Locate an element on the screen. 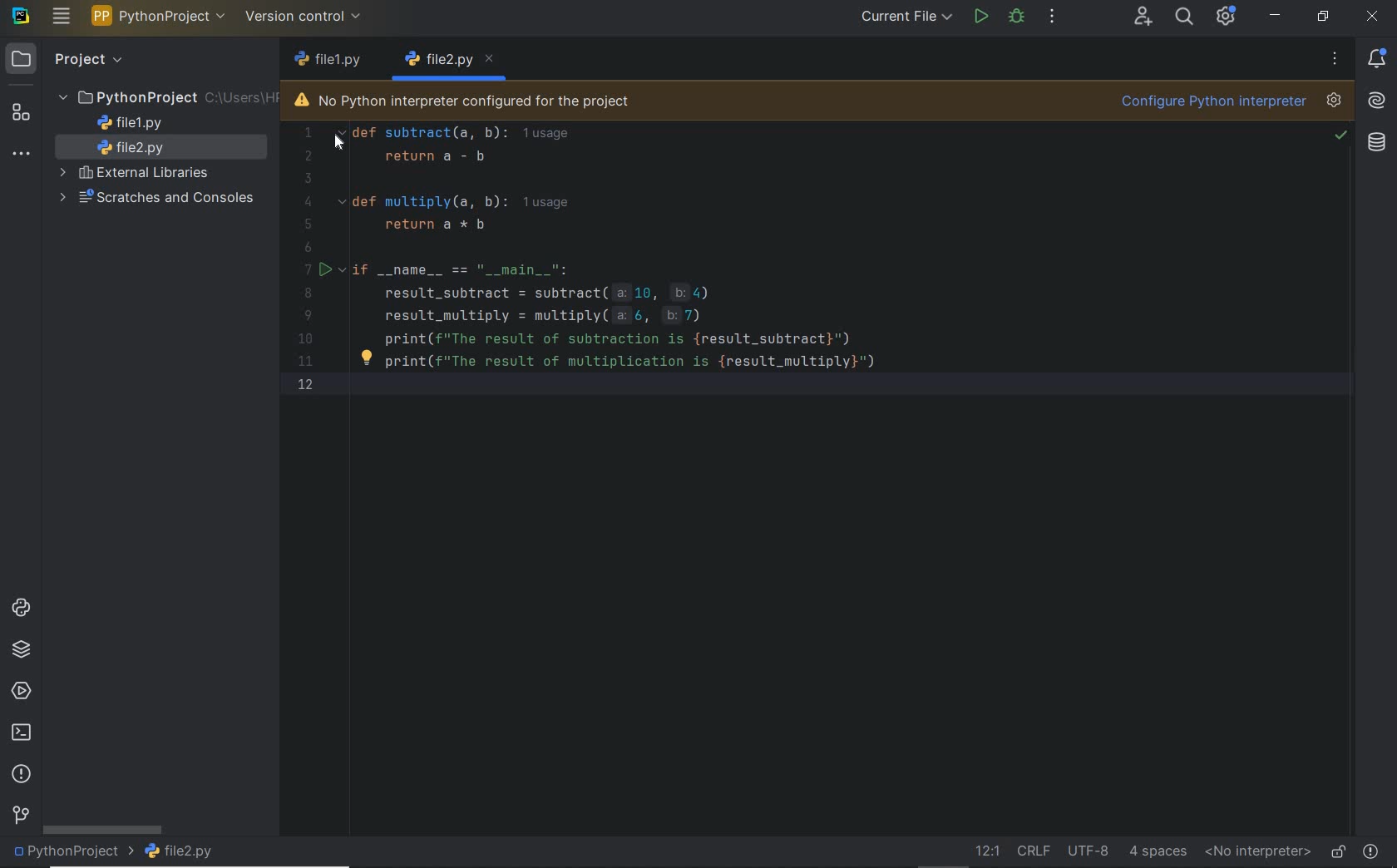  more actions is located at coordinates (1052, 16).